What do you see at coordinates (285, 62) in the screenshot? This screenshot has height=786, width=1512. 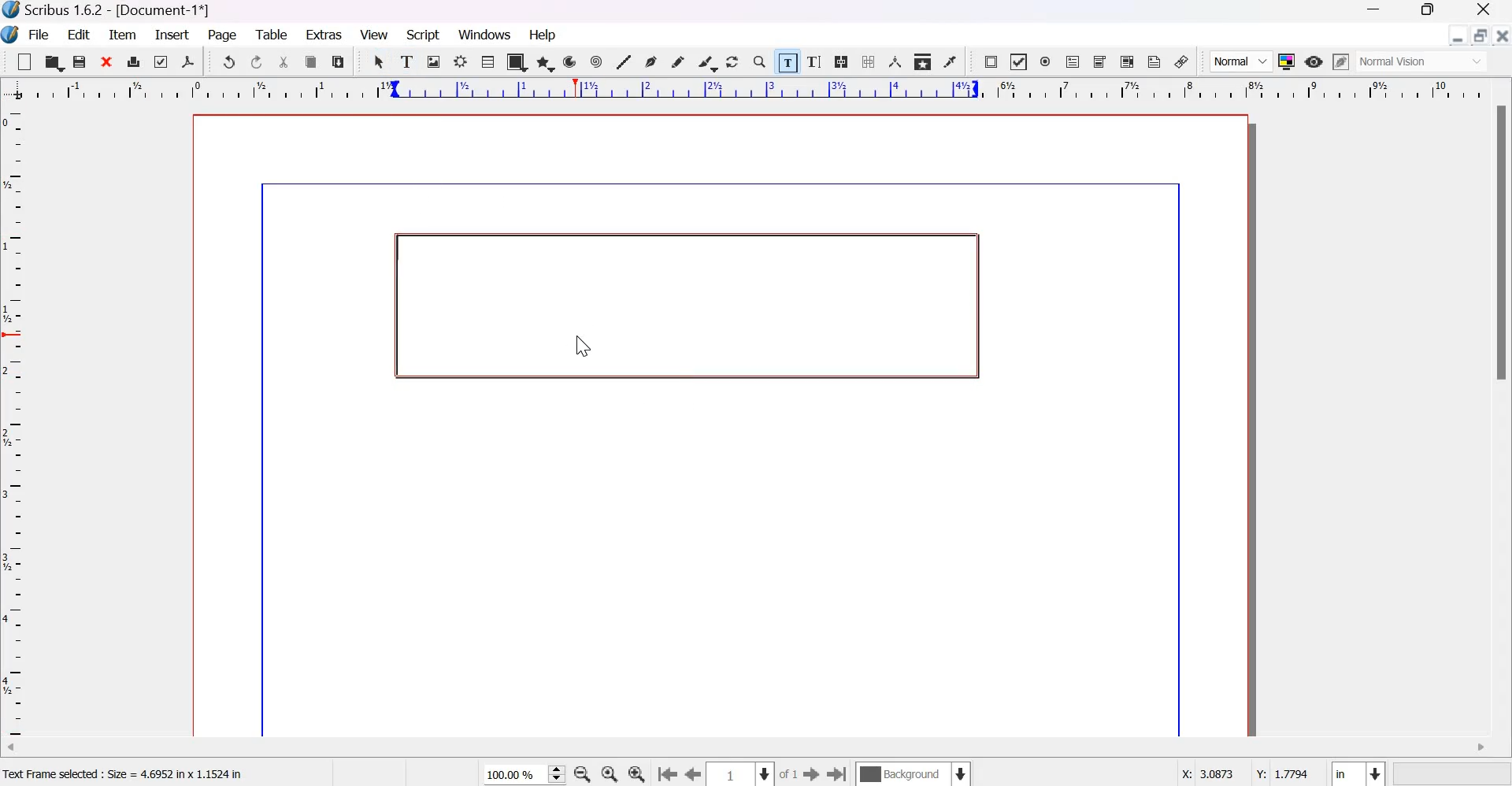 I see `cut` at bounding box center [285, 62].